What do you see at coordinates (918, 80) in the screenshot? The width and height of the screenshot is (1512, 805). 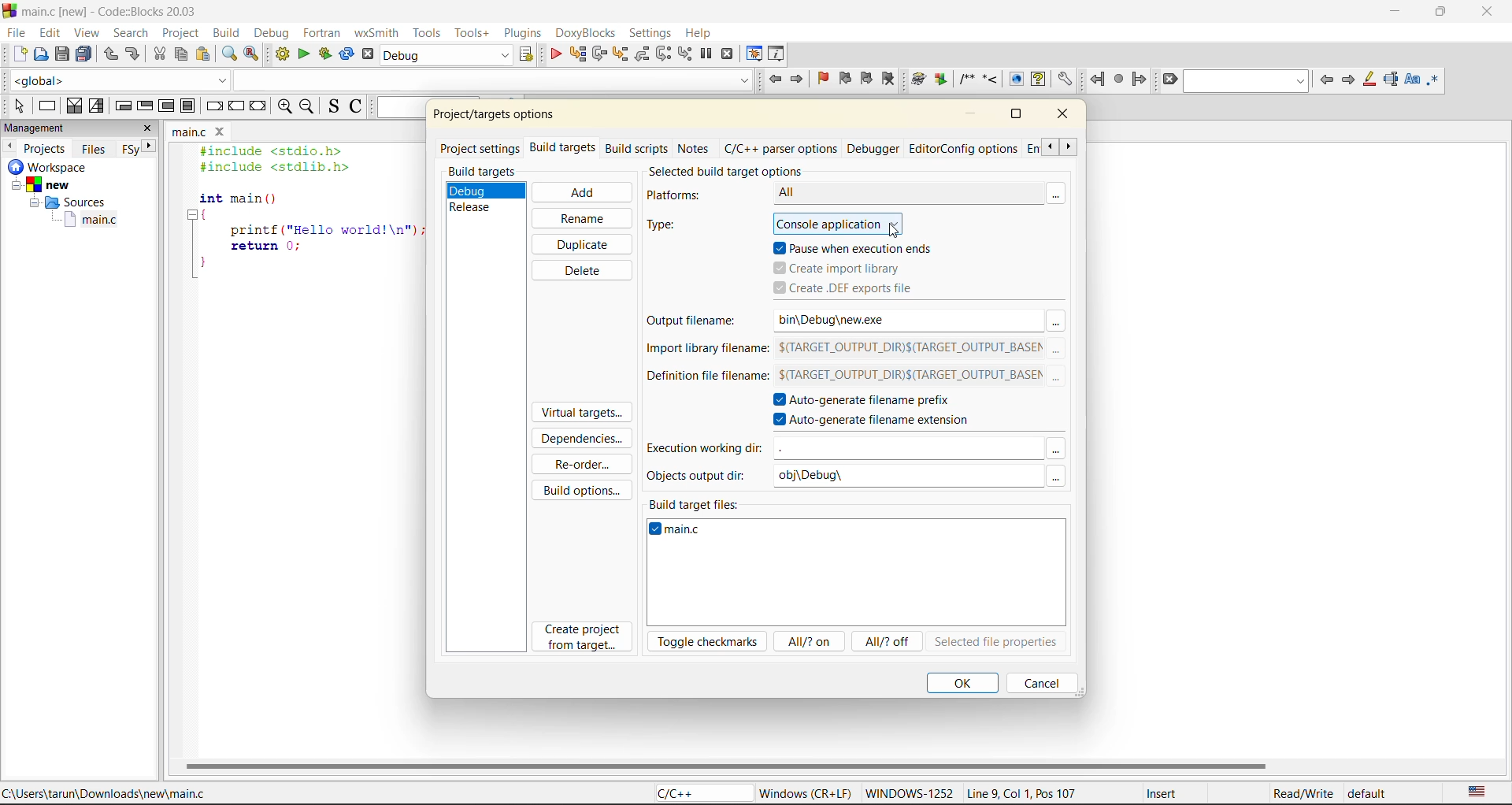 I see `Run doxywizard` at bounding box center [918, 80].